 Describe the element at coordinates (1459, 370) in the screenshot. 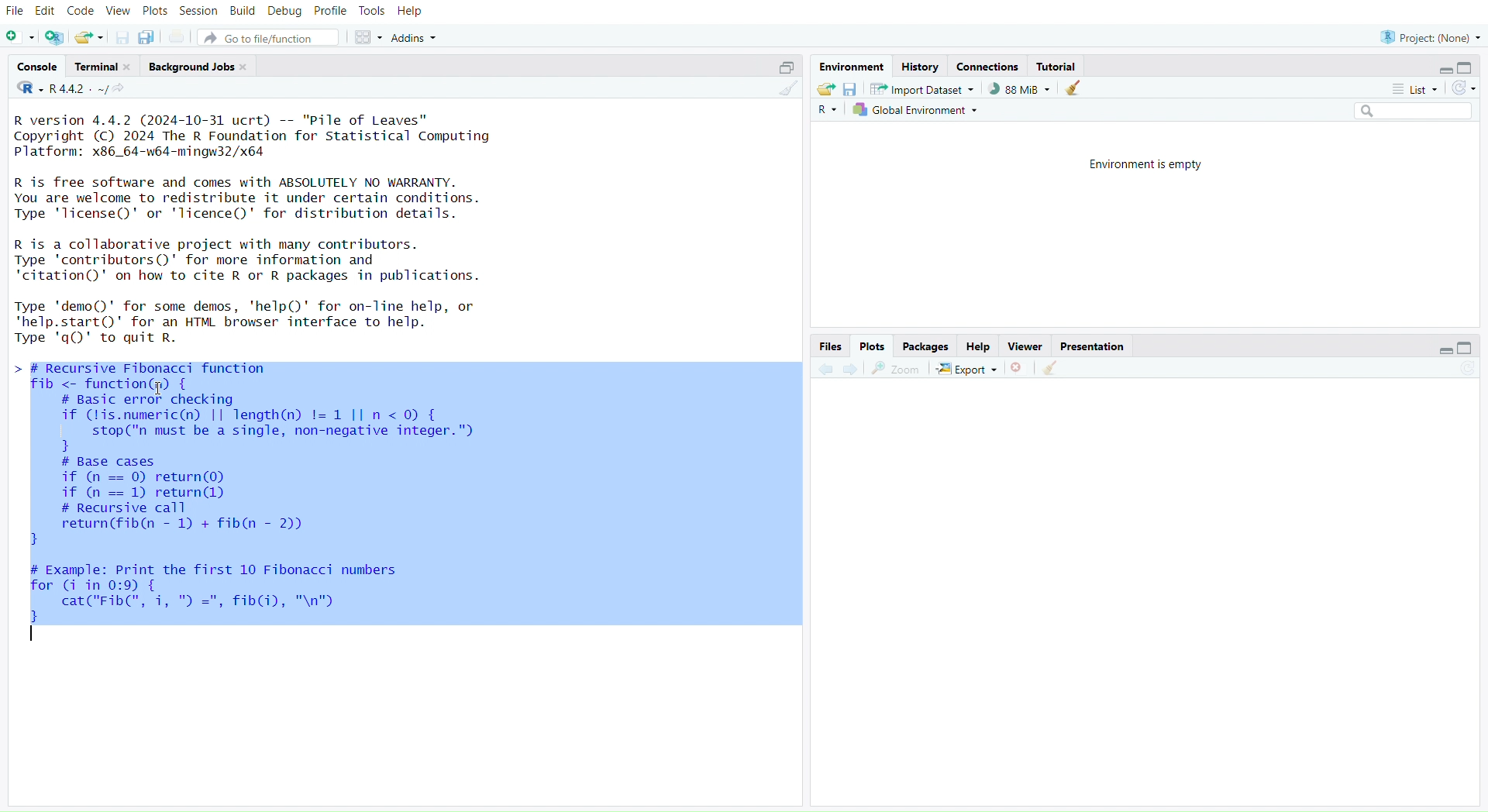

I see `refresh all plot` at that location.